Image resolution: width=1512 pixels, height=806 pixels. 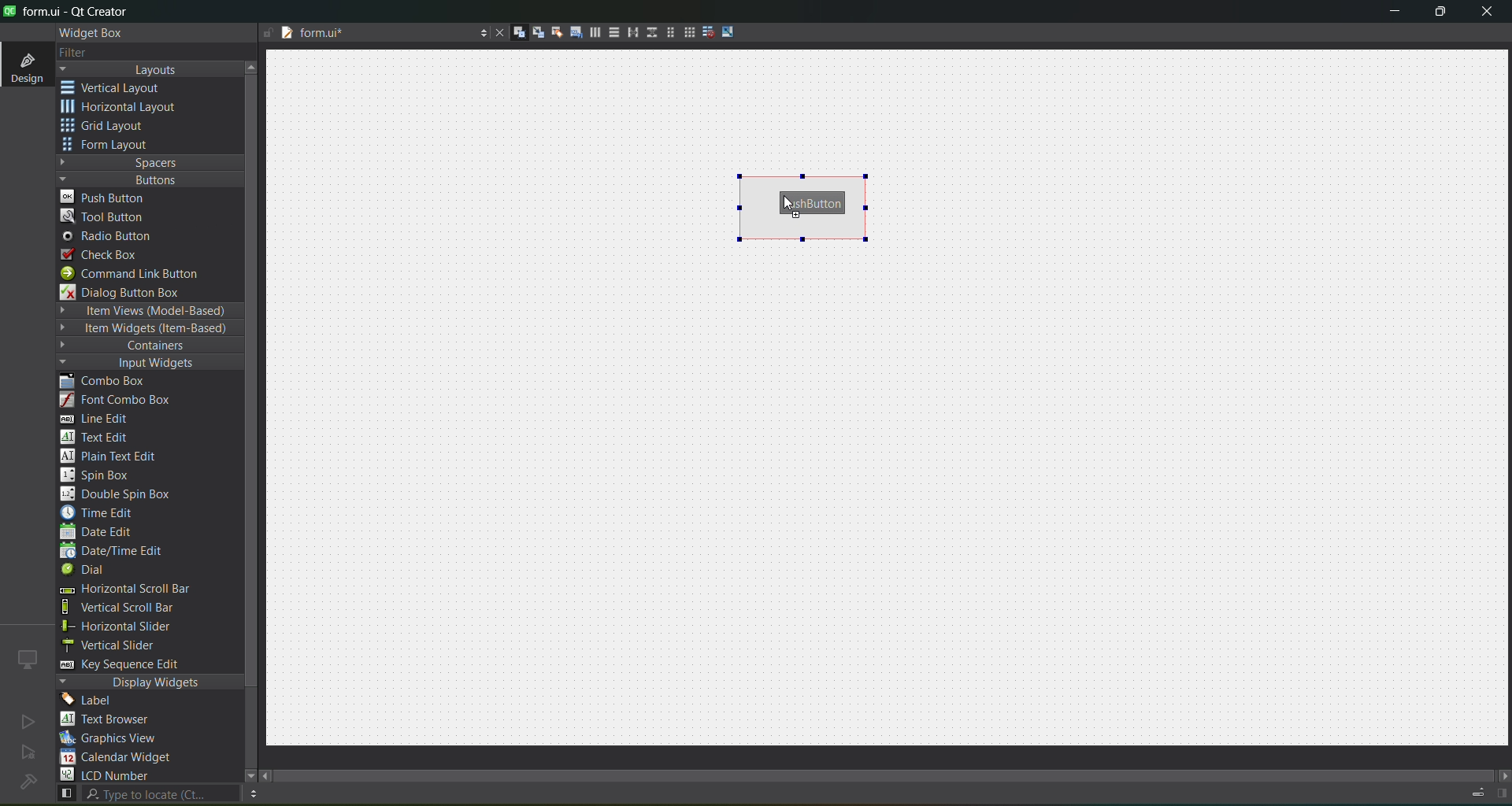 What do you see at coordinates (102, 512) in the screenshot?
I see `time edit` at bounding box center [102, 512].